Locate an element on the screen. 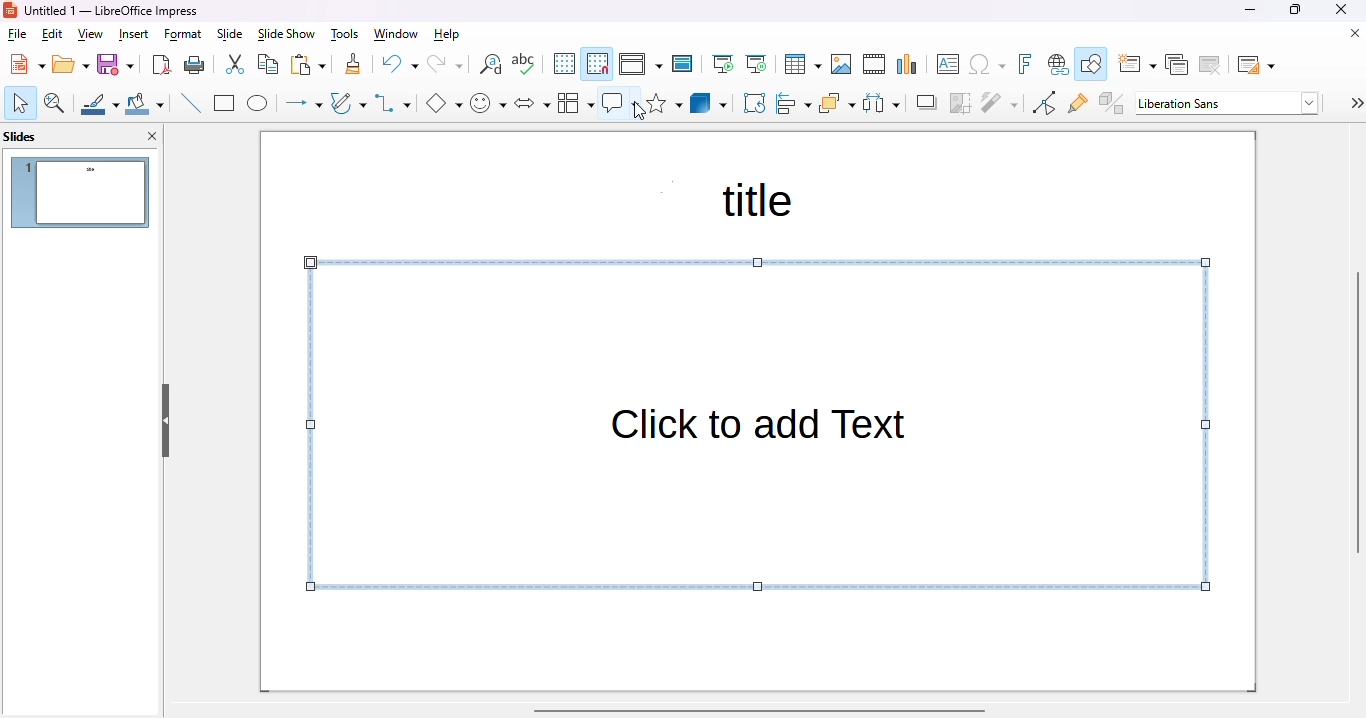  curves and polygons is located at coordinates (348, 103).